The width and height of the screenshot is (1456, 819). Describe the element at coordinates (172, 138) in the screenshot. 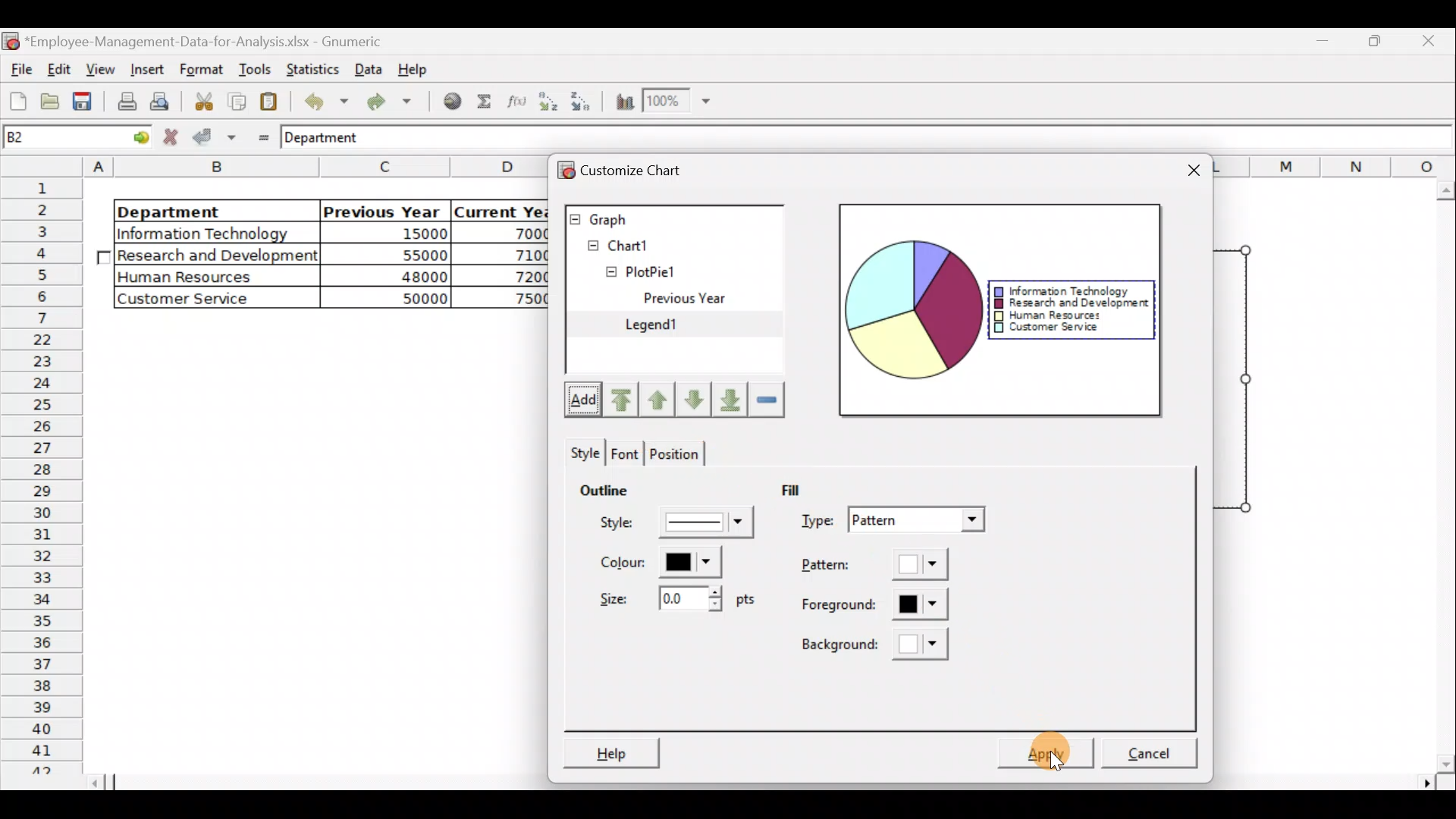

I see `Cancel change` at that location.